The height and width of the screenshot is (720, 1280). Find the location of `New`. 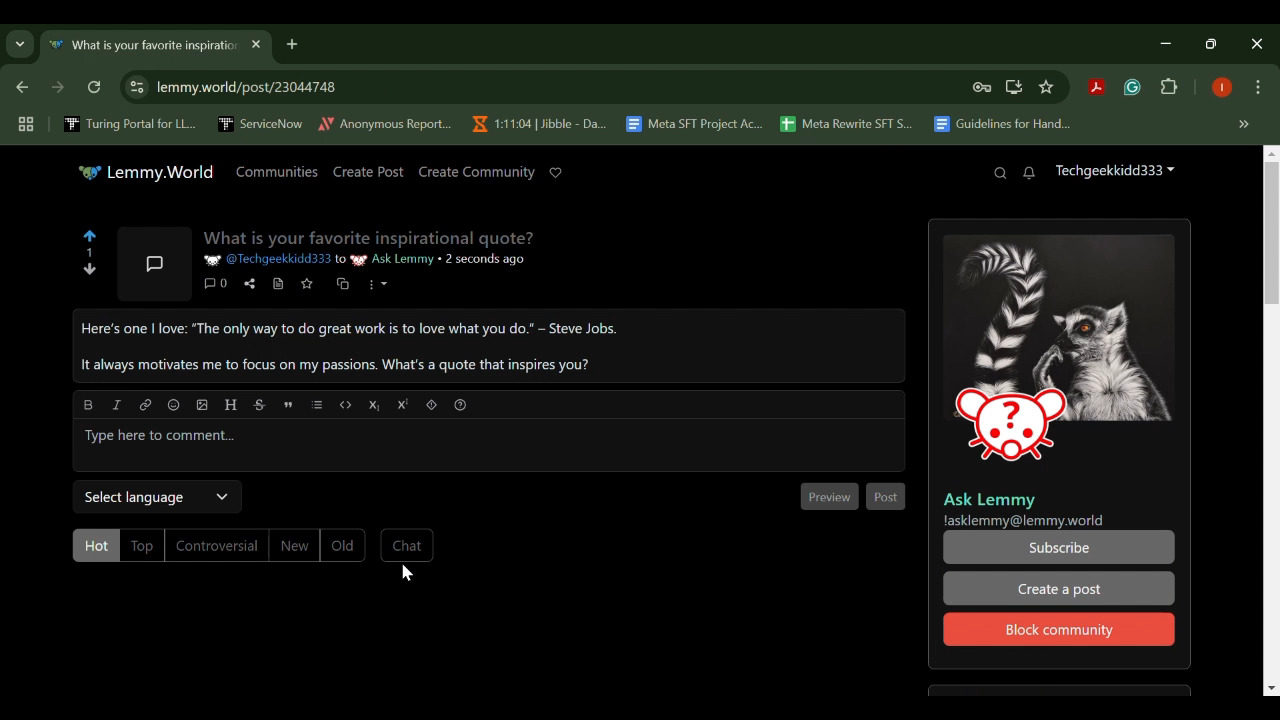

New is located at coordinates (293, 545).